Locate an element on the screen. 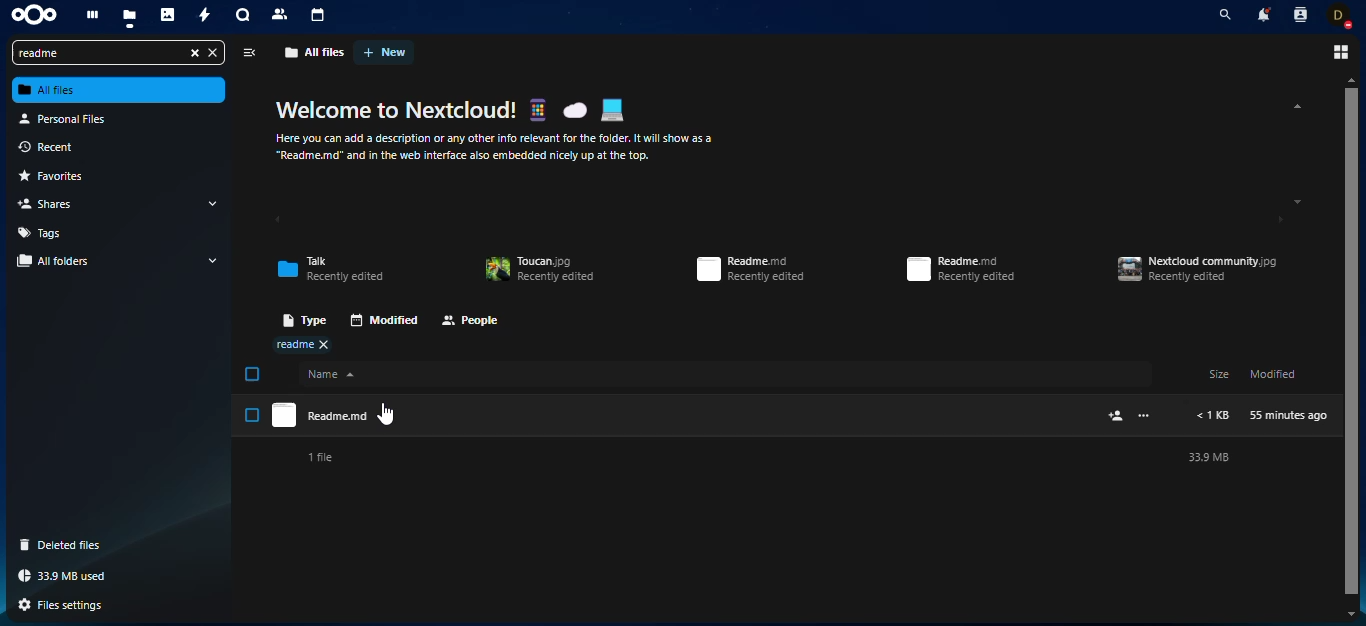  notifications is located at coordinates (1262, 14).